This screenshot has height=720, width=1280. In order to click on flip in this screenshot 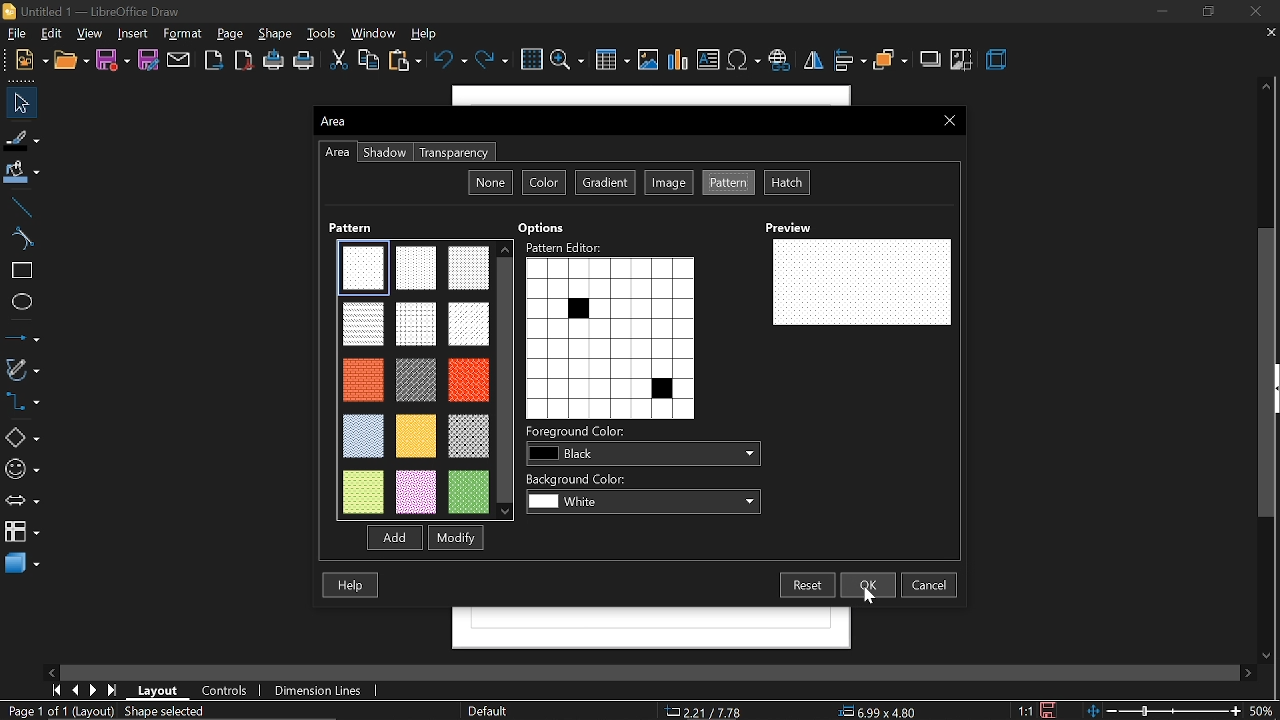, I will do `click(814, 63)`.